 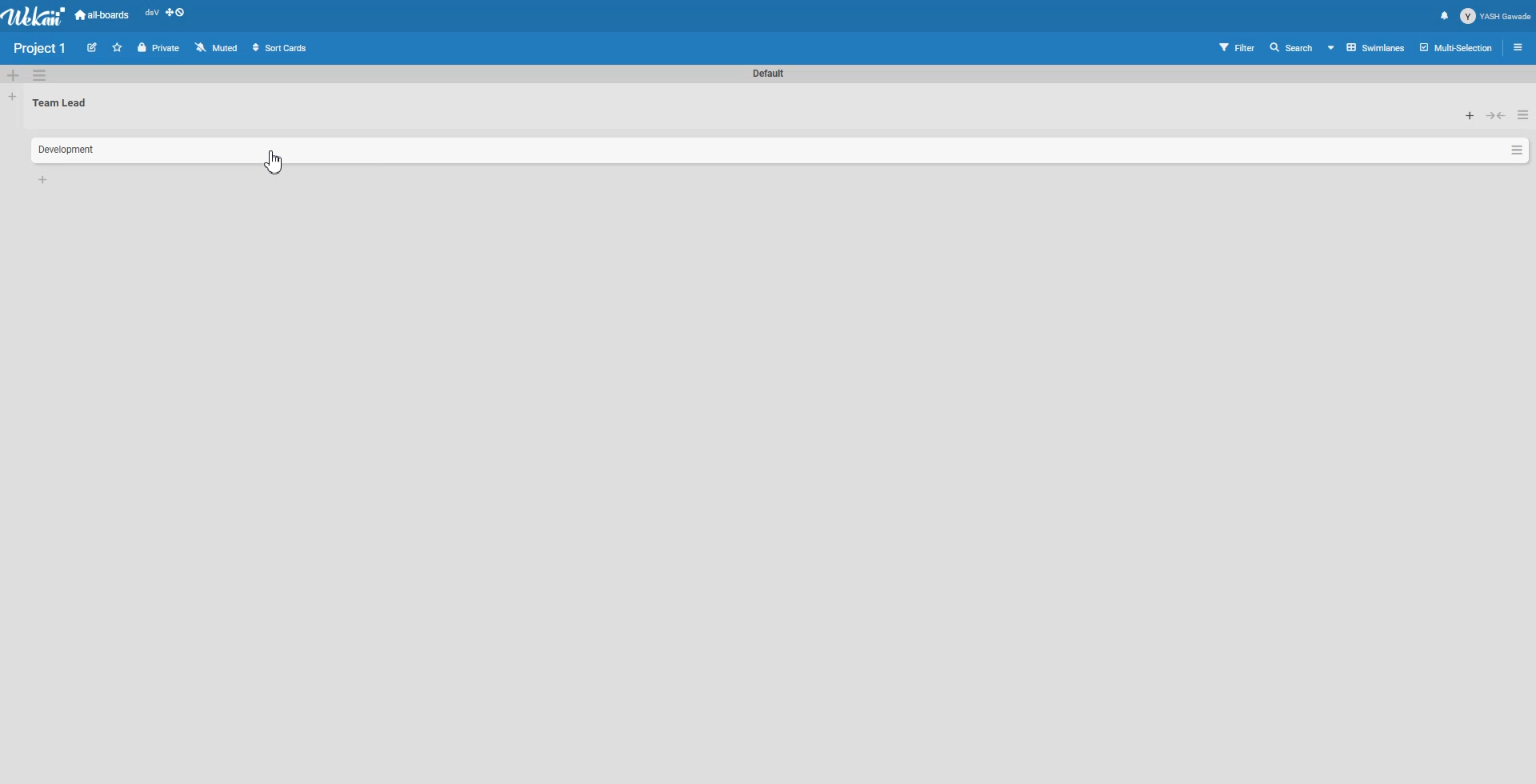 What do you see at coordinates (102, 15) in the screenshot?
I see `all-boards` at bounding box center [102, 15].